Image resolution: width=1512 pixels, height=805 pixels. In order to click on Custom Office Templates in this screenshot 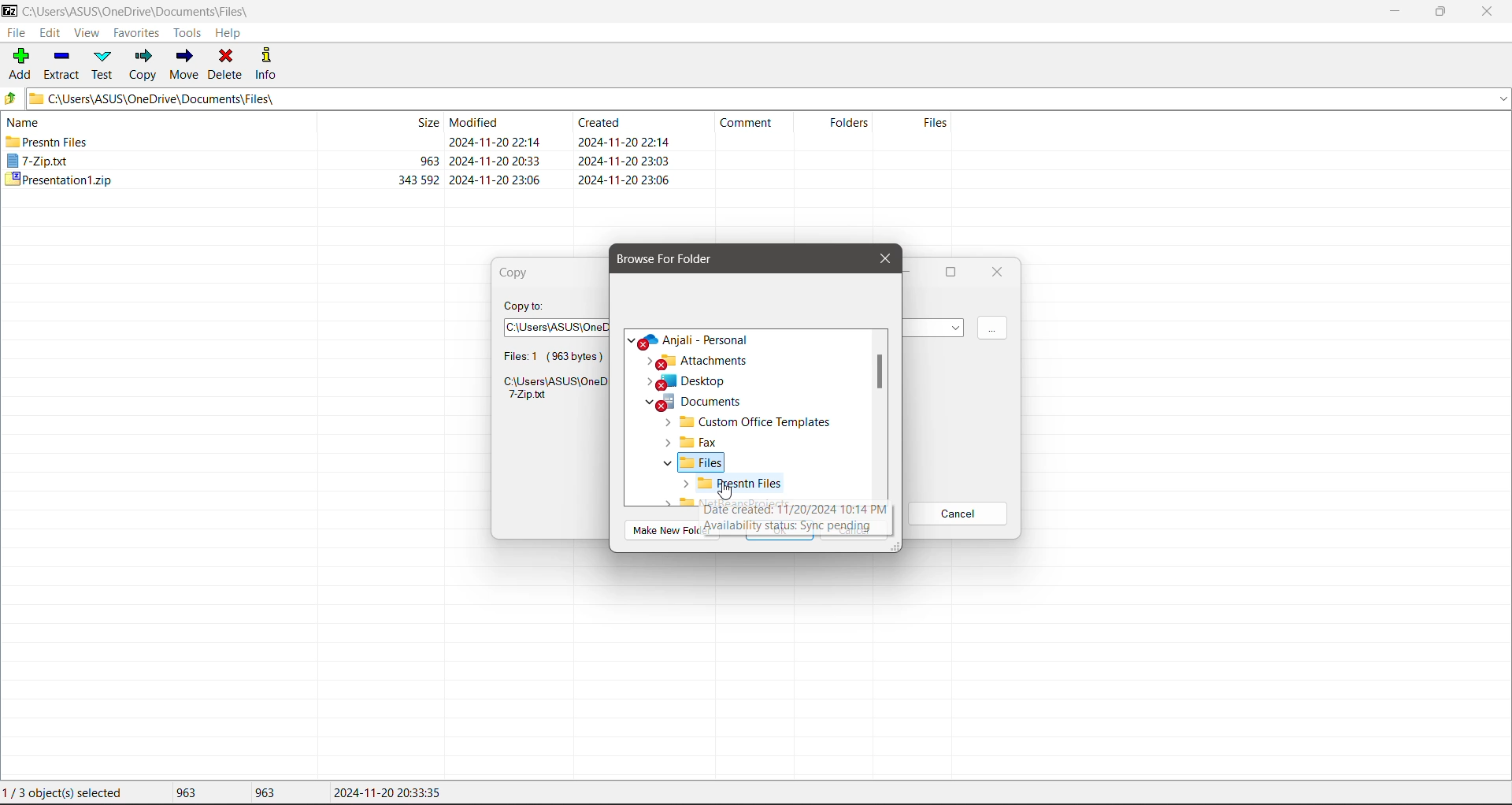, I will do `click(751, 423)`.